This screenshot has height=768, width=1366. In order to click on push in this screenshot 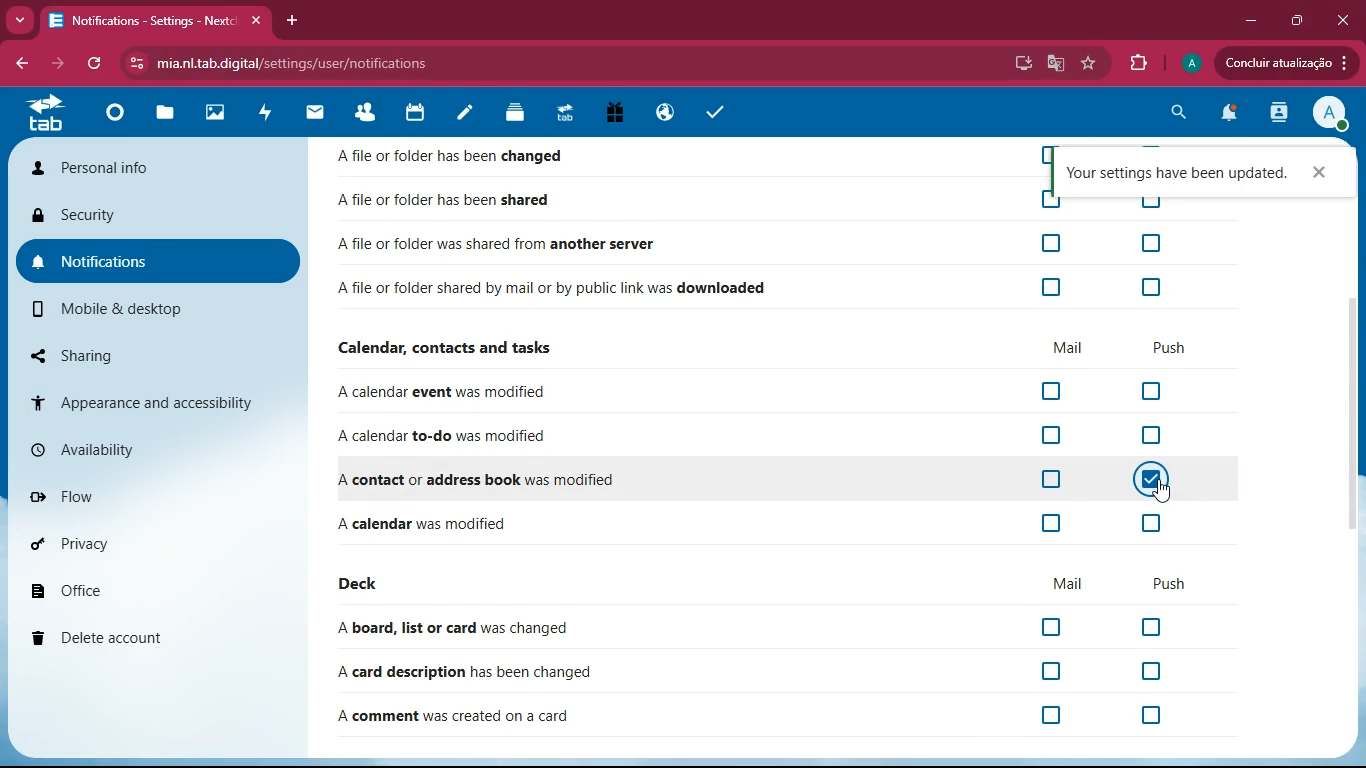, I will do `click(1168, 584)`.